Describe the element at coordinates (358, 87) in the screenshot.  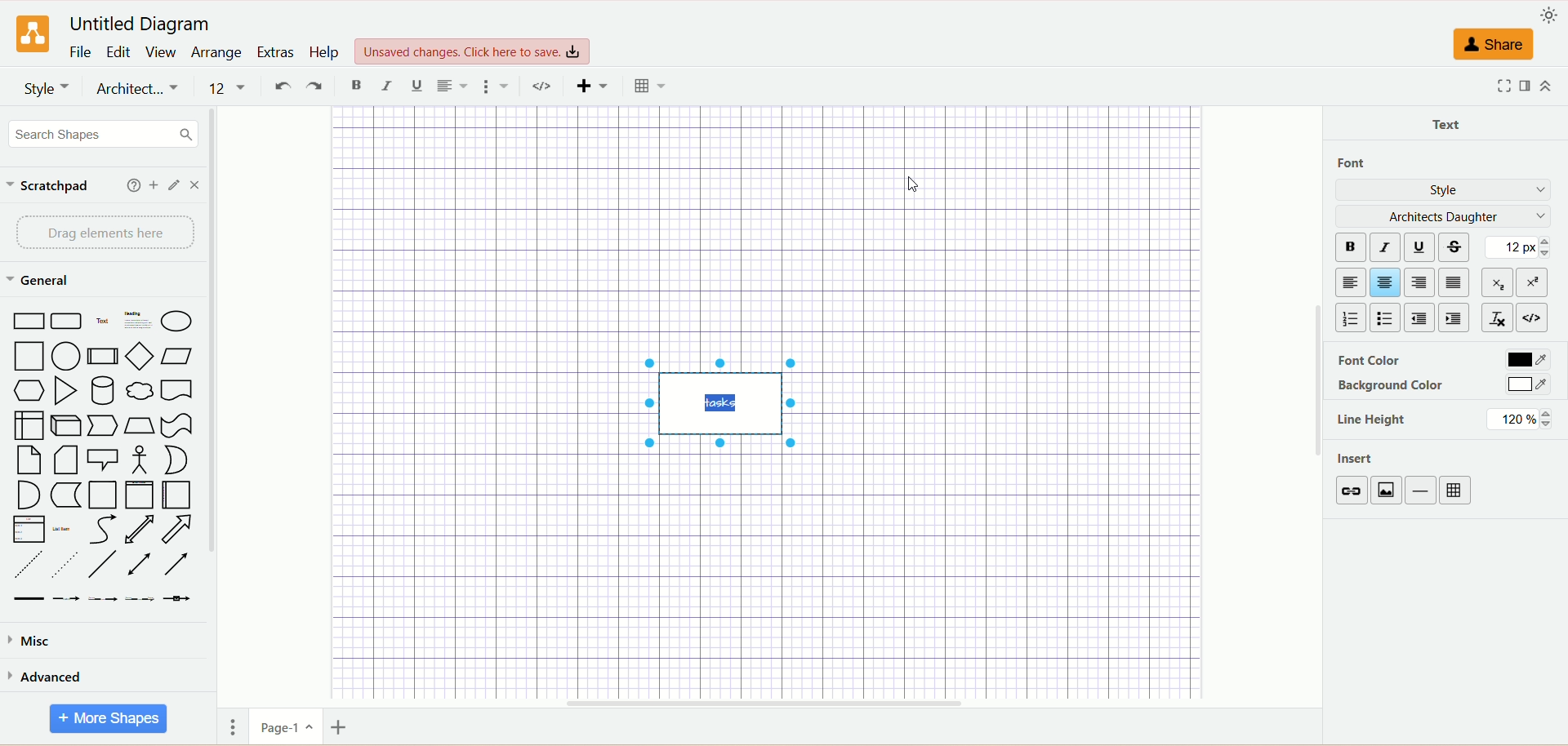
I see `Bold` at that location.